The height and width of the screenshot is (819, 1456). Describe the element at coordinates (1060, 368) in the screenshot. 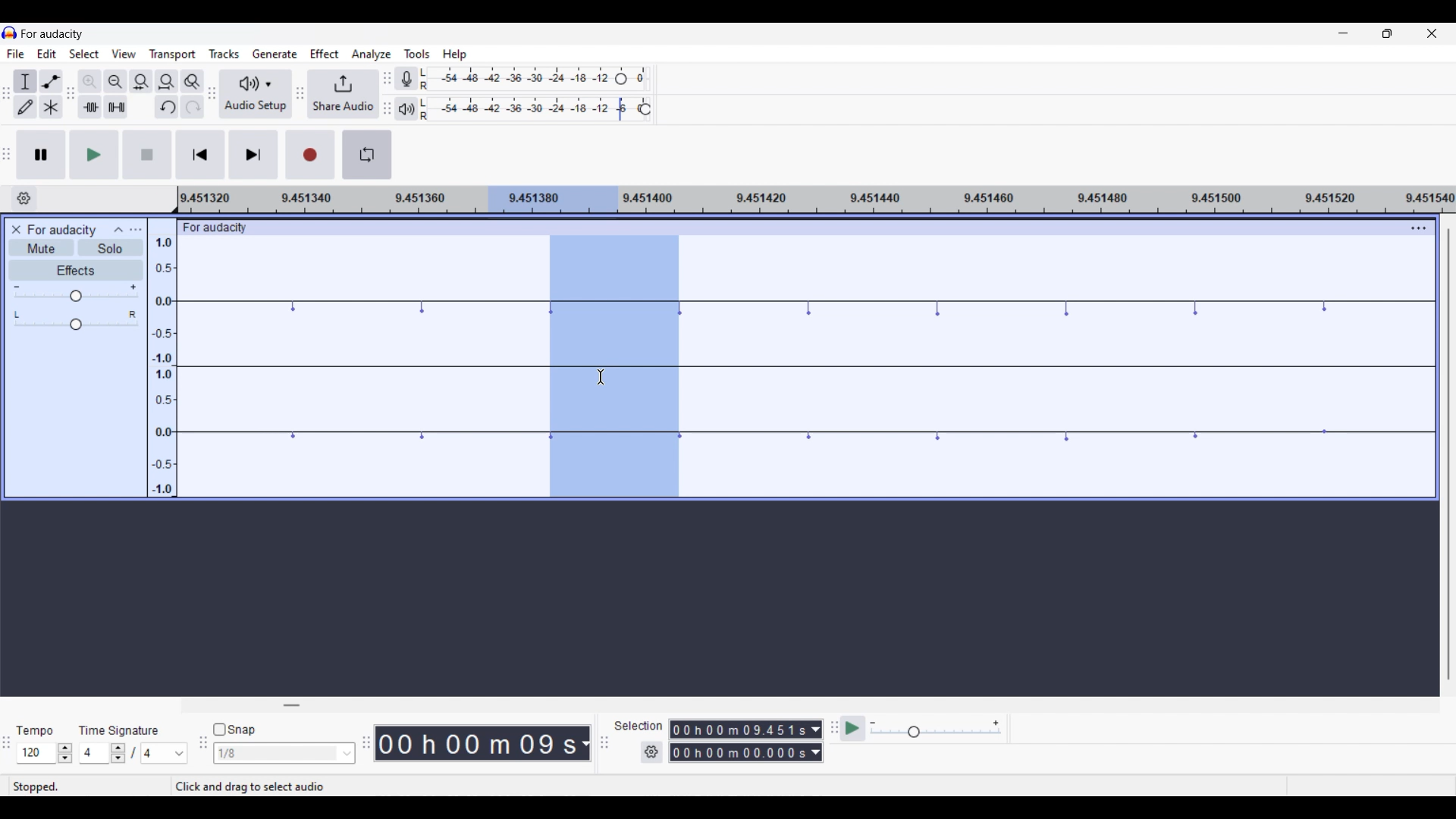

I see `Current track` at that location.